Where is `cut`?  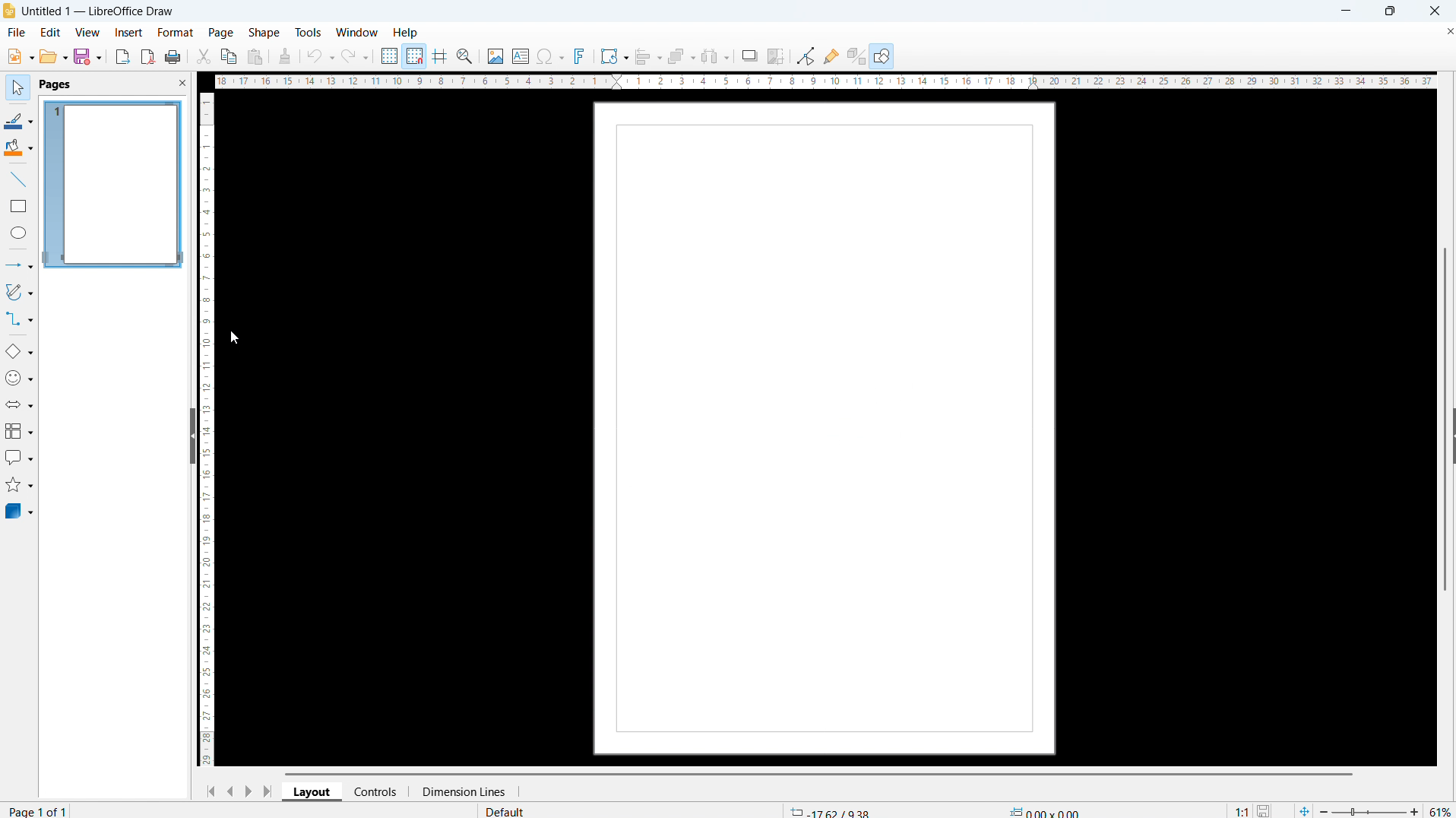 cut is located at coordinates (203, 55).